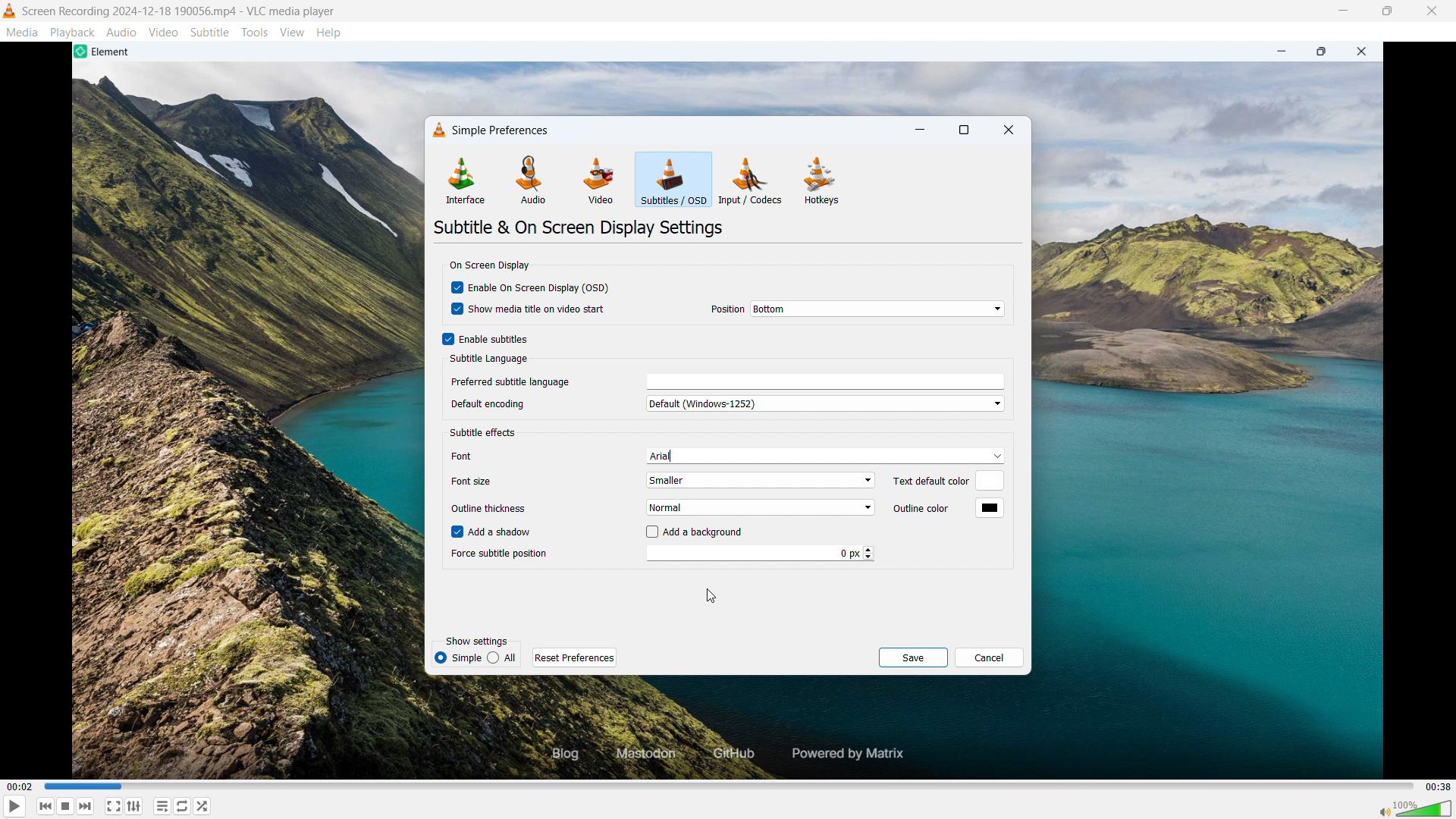 This screenshot has width=1456, height=819. What do you see at coordinates (512, 381) in the screenshot?
I see `Preferred subtitle language` at bounding box center [512, 381].